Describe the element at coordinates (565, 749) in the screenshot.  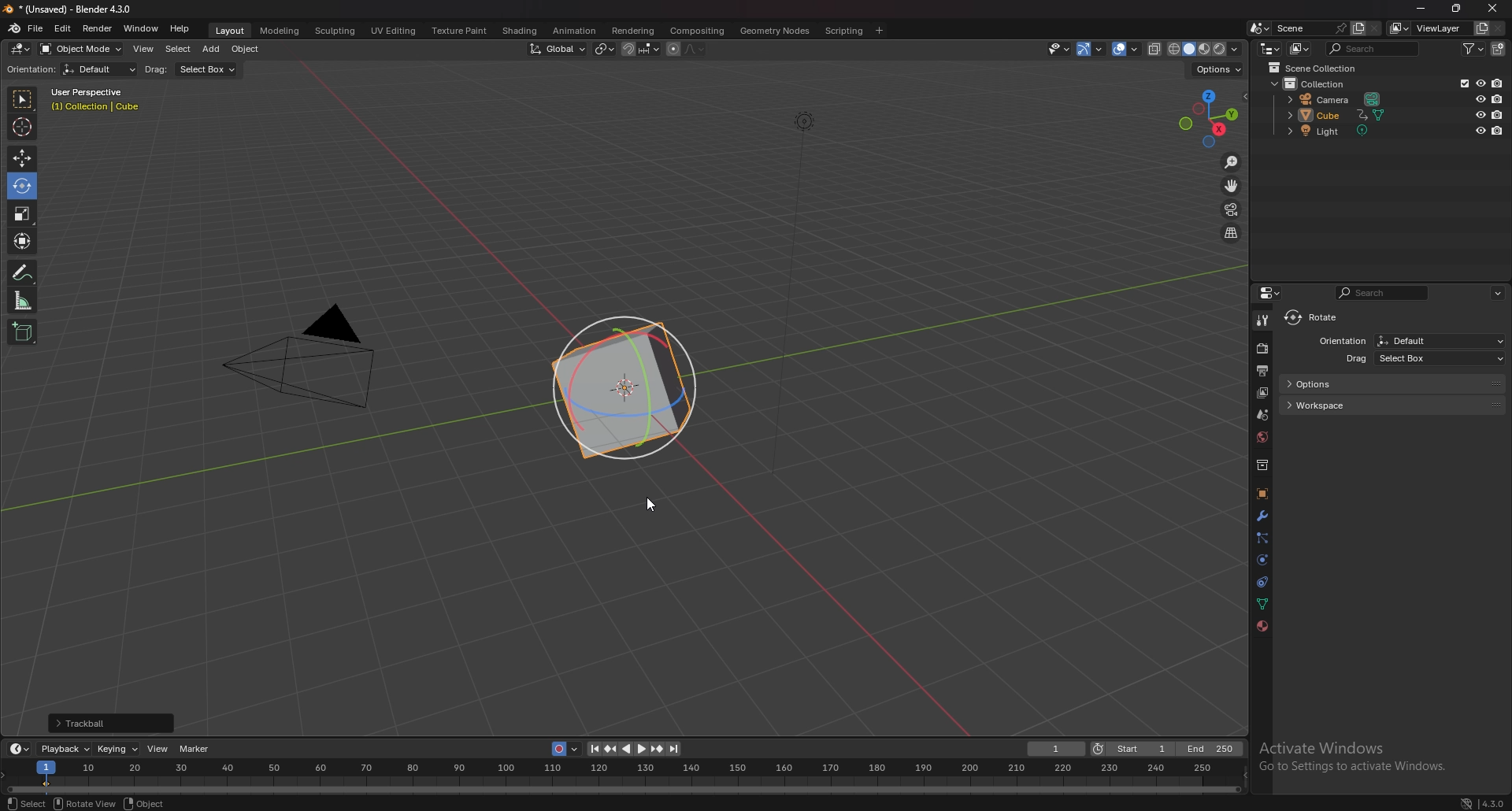
I see `auto keying` at that location.